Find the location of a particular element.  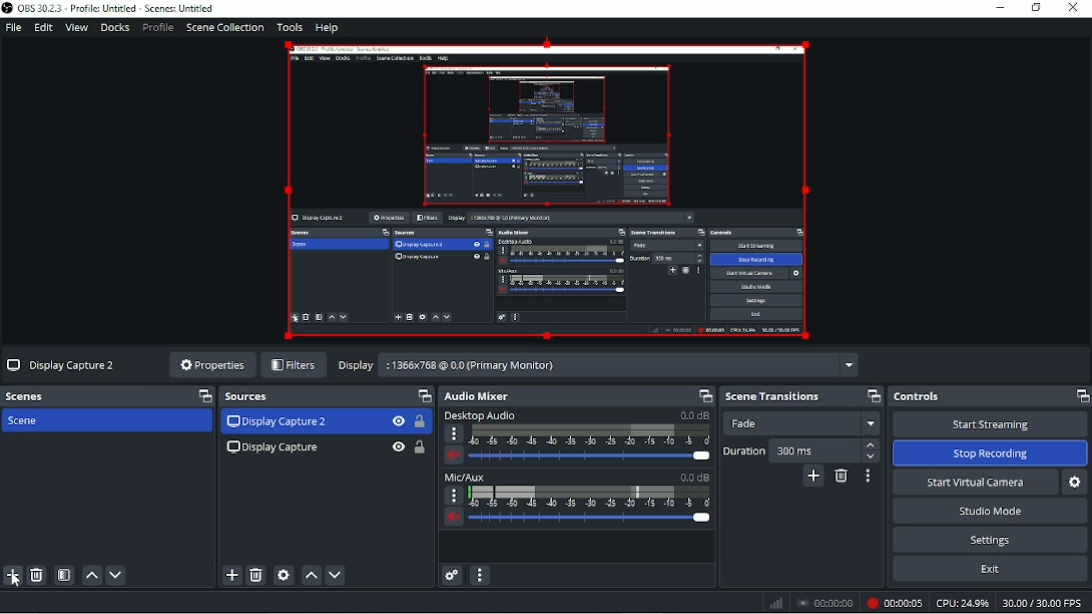

Profile is located at coordinates (158, 28).